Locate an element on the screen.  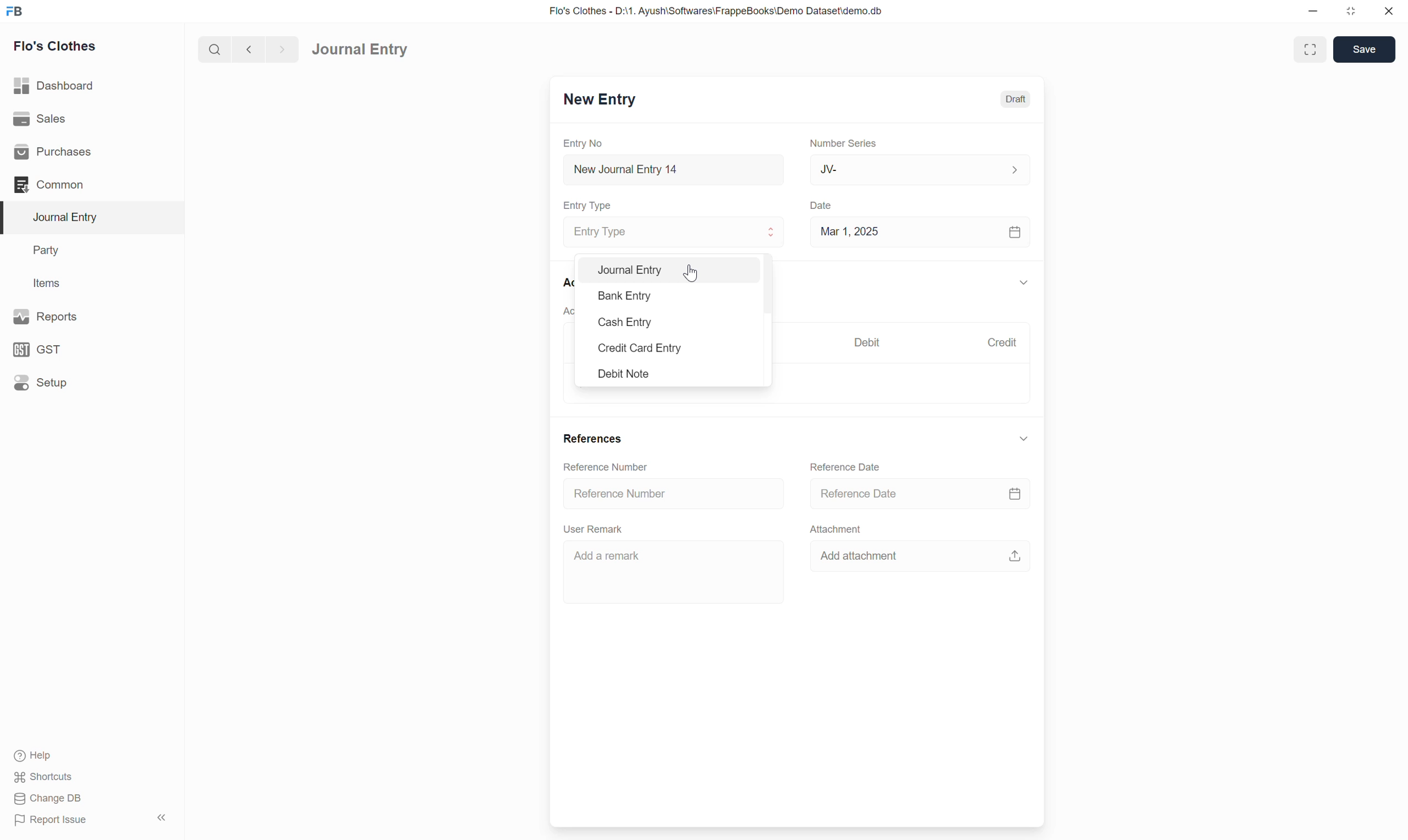
Debit is located at coordinates (867, 341).